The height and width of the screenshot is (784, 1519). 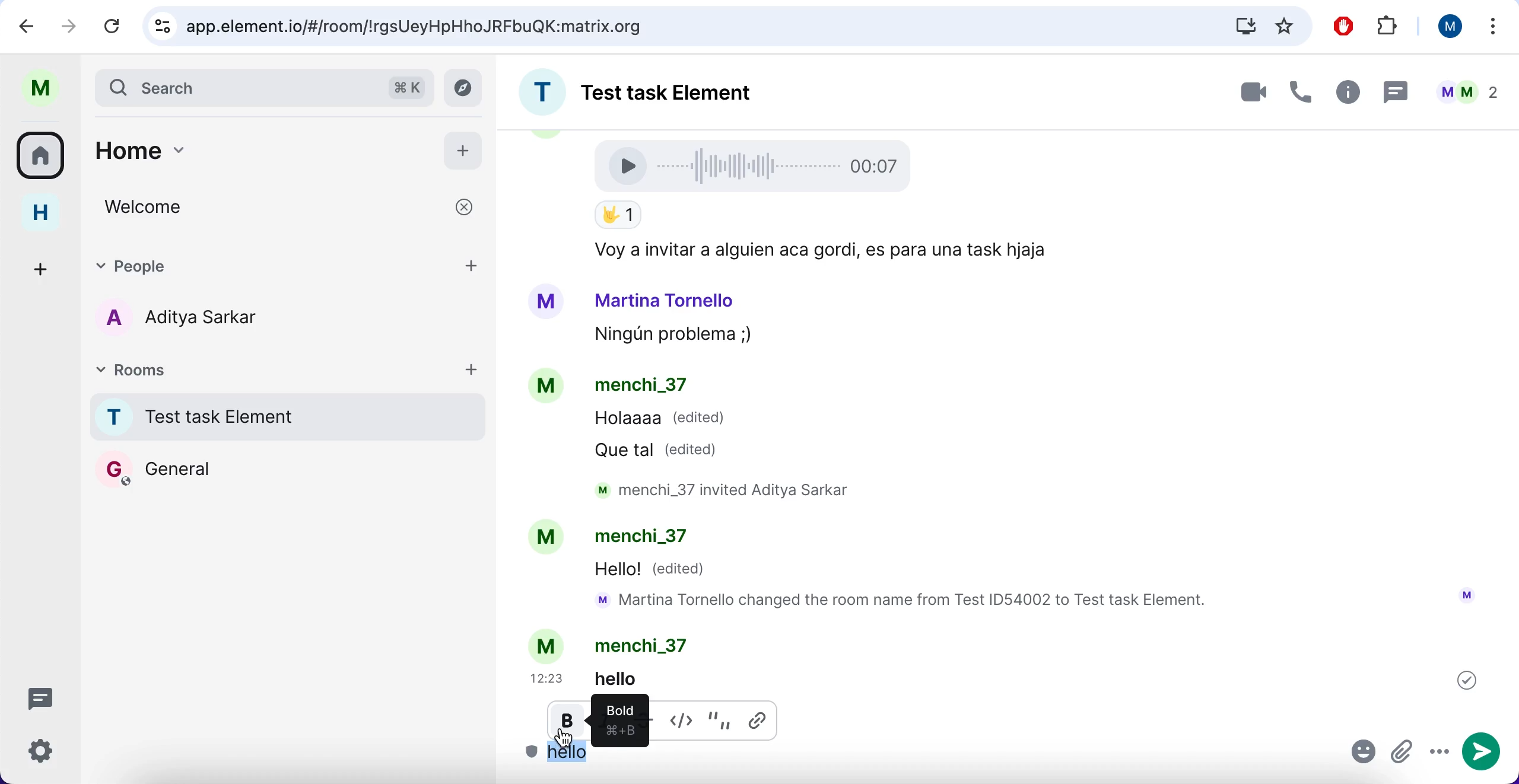 What do you see at coordinates (733, 490) in the screenshot?
I see `M menchi_3/ Invited Aditya Sarkar` at bounding box center [733, 490].